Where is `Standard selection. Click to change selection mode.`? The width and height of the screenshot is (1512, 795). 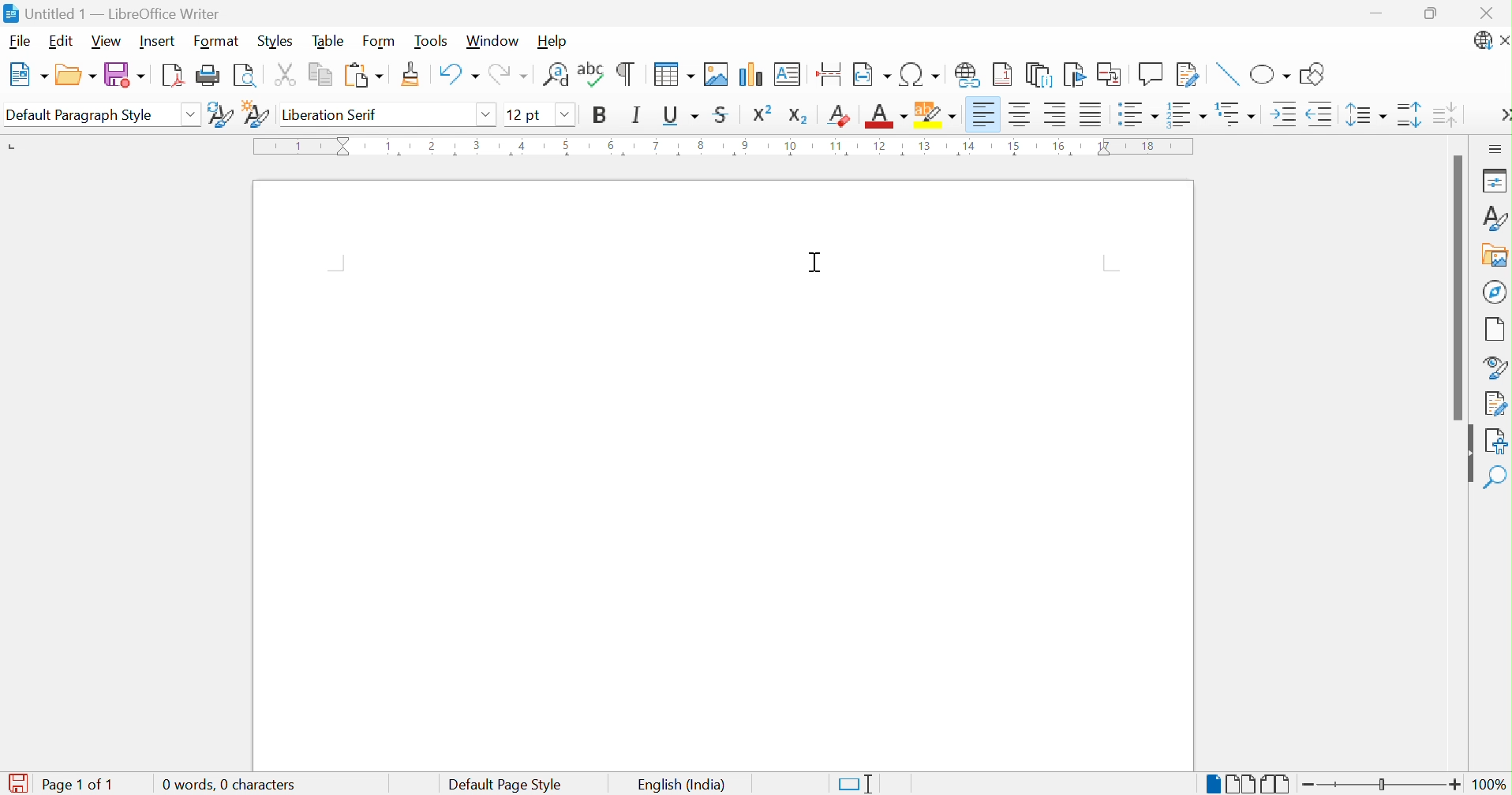
Standard selection. Click to change selection mode. is located at coordinates (853, 785).